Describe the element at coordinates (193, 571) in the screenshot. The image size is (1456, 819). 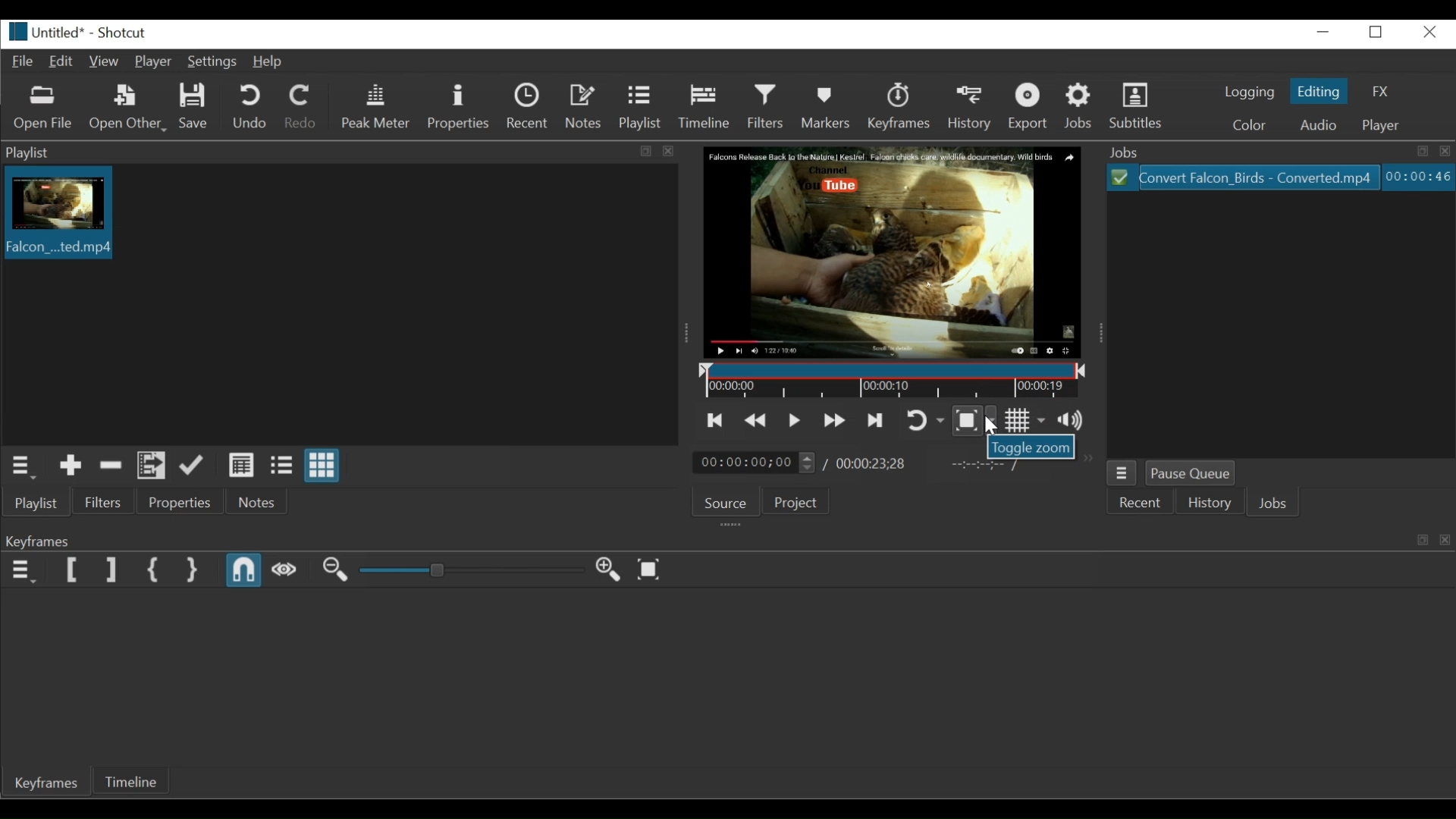
I see `Set Second Simple Keyframe` at that location.